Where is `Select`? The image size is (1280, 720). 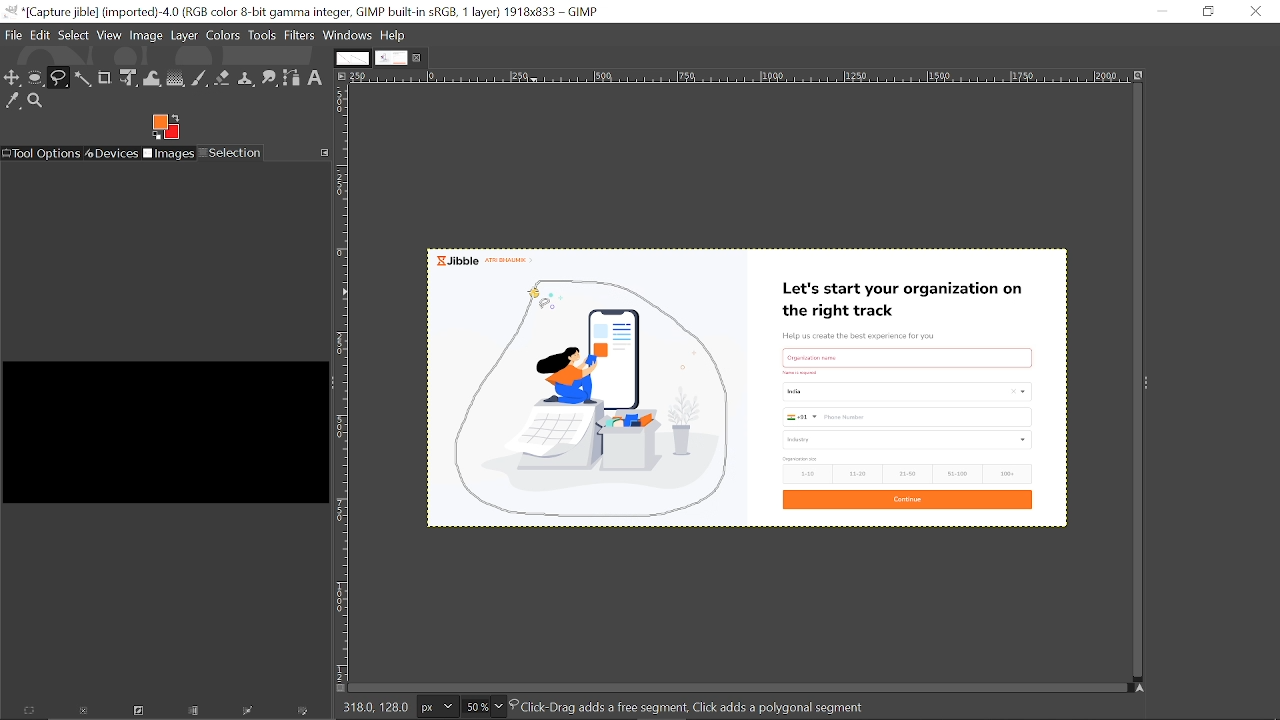 Select is located at coordinates (74, 34).